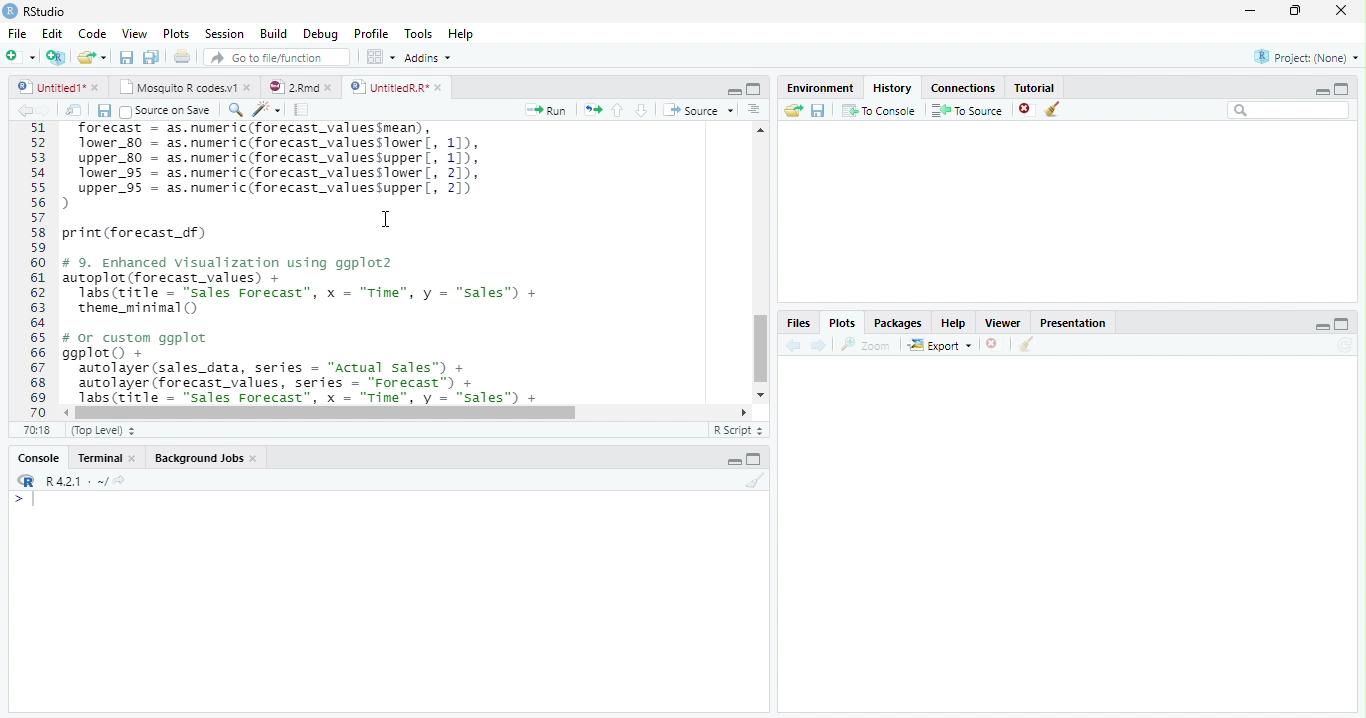 This screenshot has height=718, width=1366. I want to click on Print, so click(182, 57).